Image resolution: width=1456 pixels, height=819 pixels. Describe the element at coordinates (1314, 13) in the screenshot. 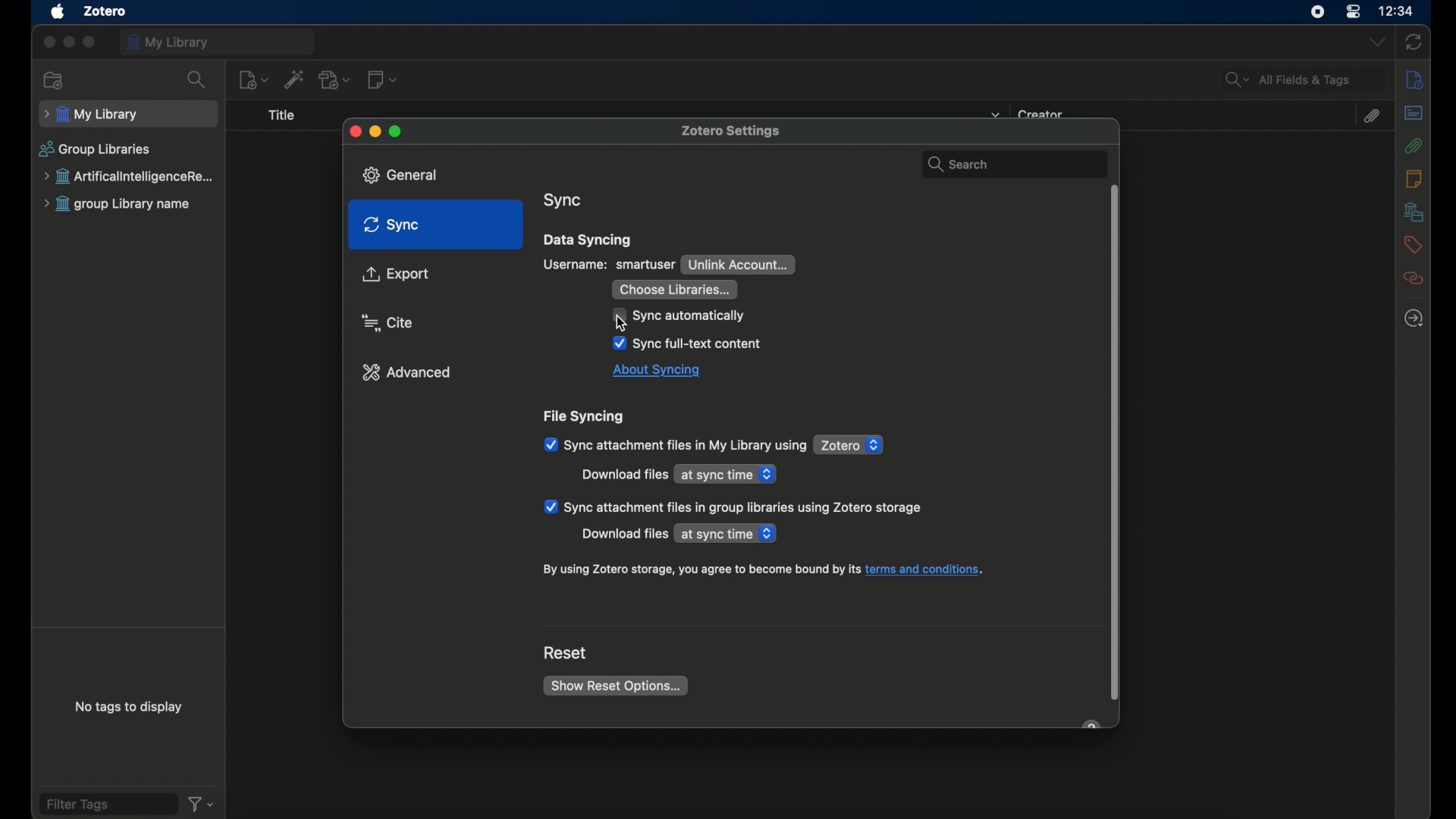

I see `screen recorder` at that location.